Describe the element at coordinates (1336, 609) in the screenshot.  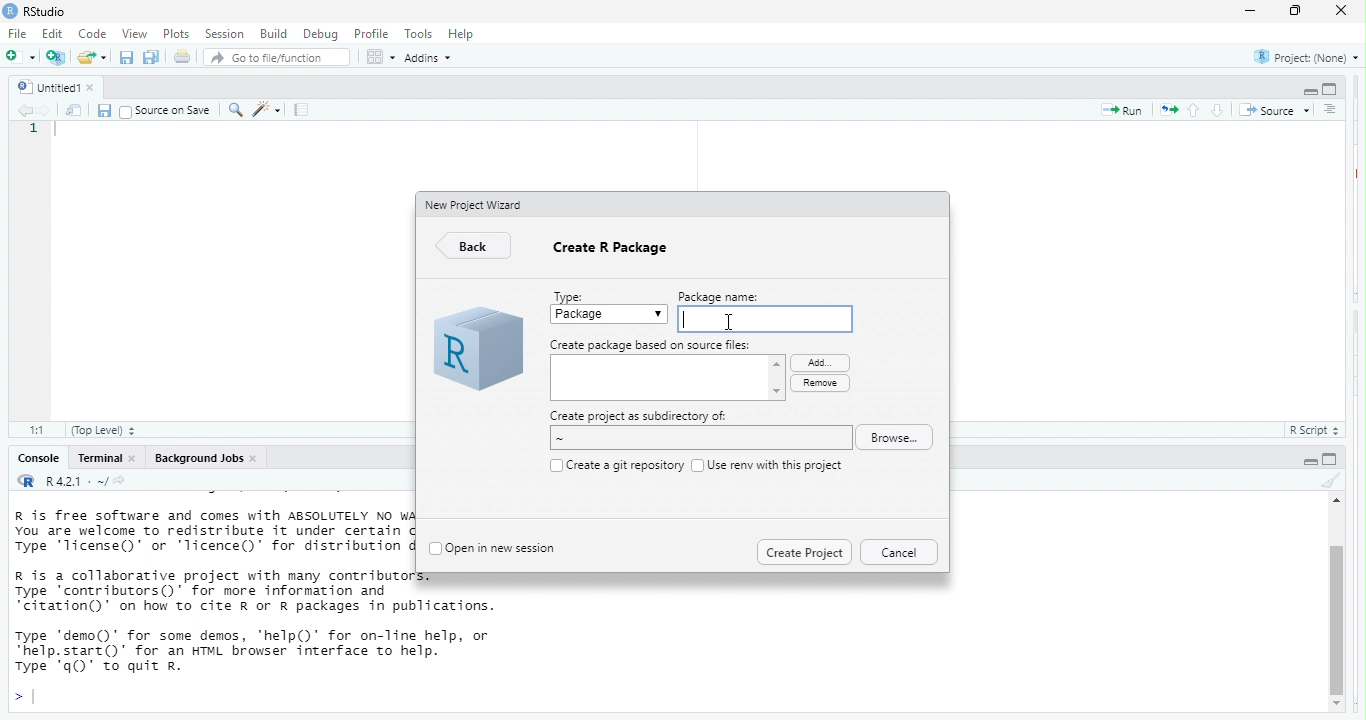
I see `vertical scroll bar` at that location.